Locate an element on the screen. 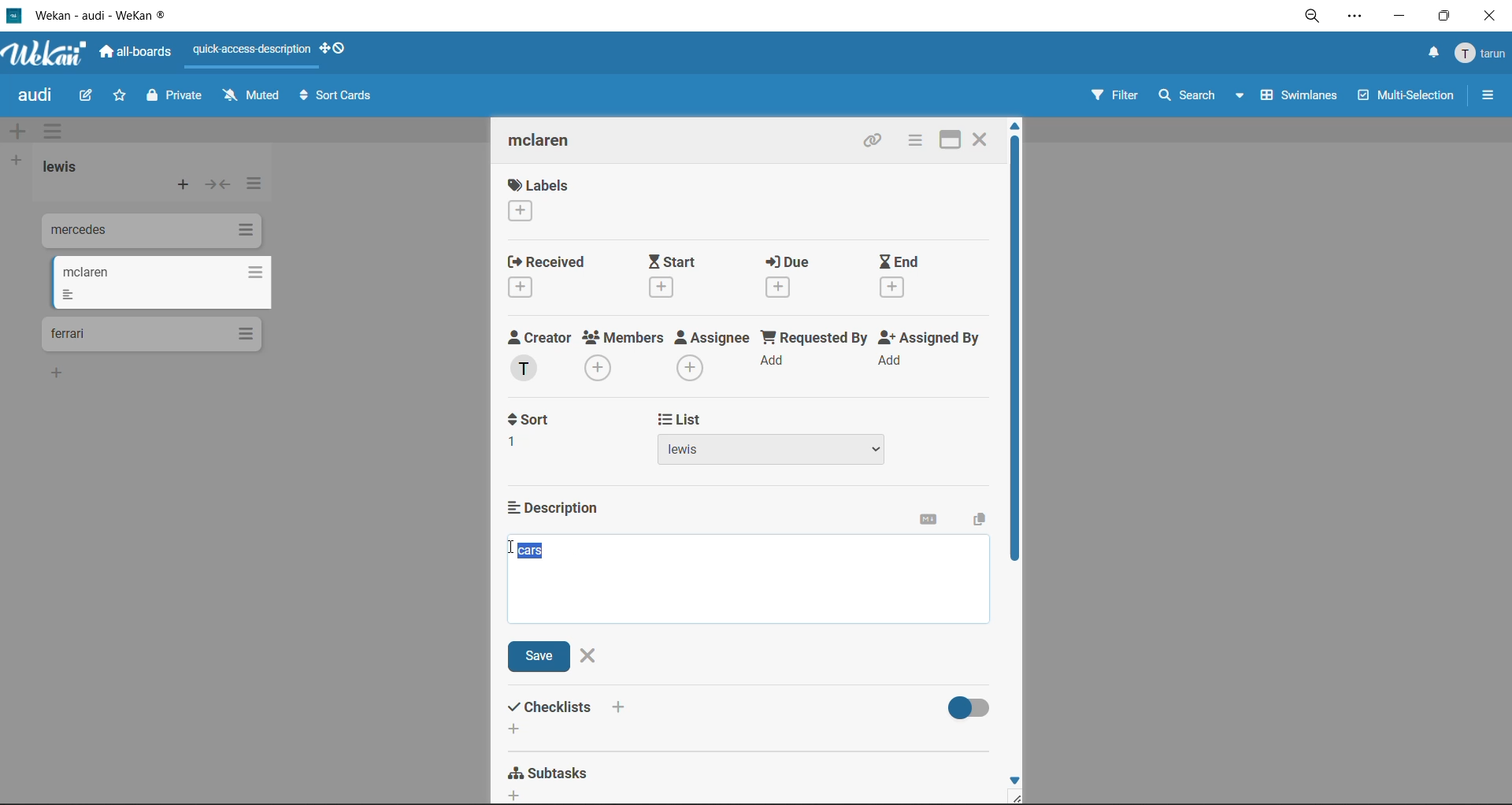 Image resolution: width=1512 pixels, height=805 pixels. copy is located at coordinates (976, 521).